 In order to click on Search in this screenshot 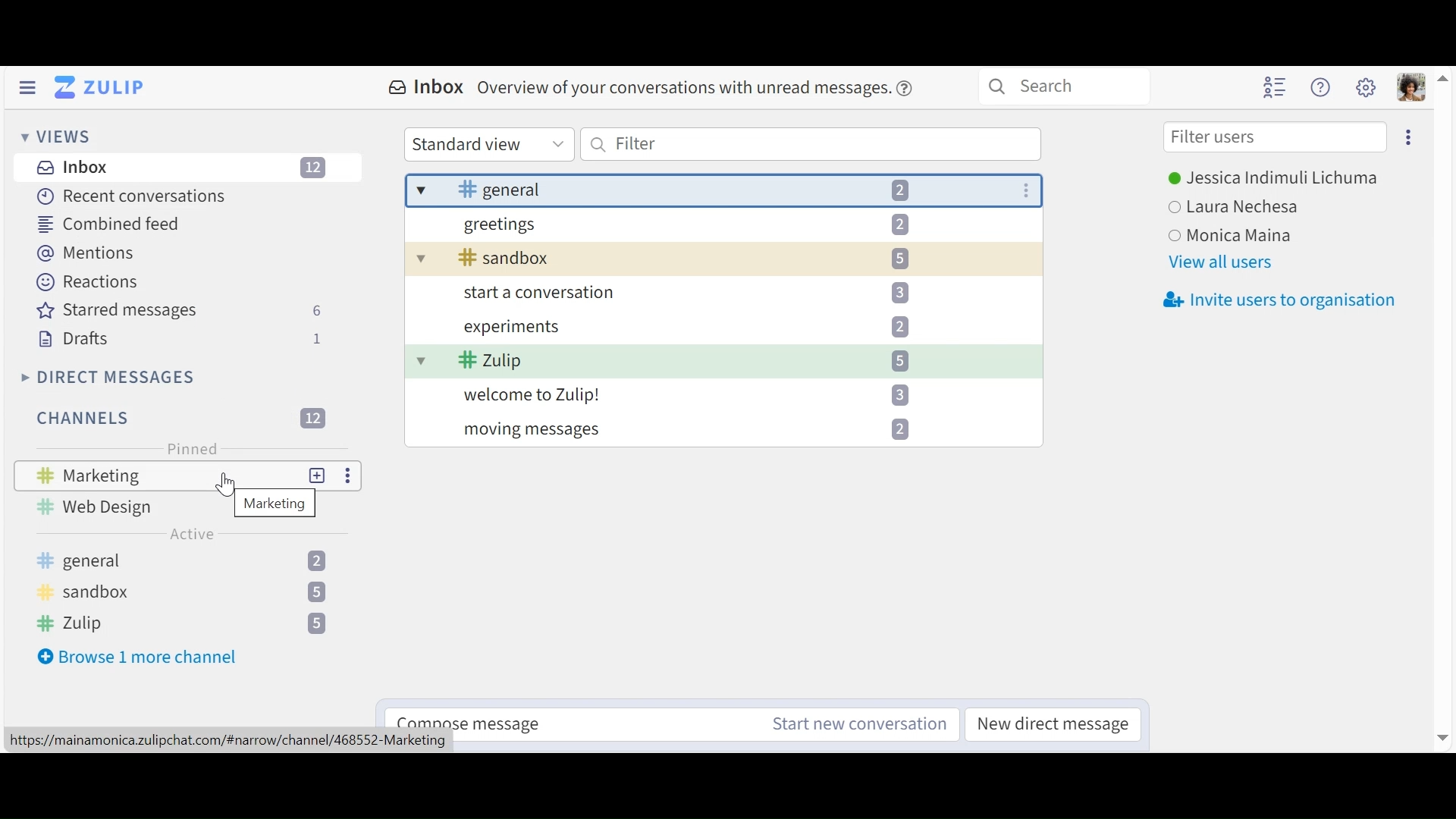, I will do `click(1063, 86)`.